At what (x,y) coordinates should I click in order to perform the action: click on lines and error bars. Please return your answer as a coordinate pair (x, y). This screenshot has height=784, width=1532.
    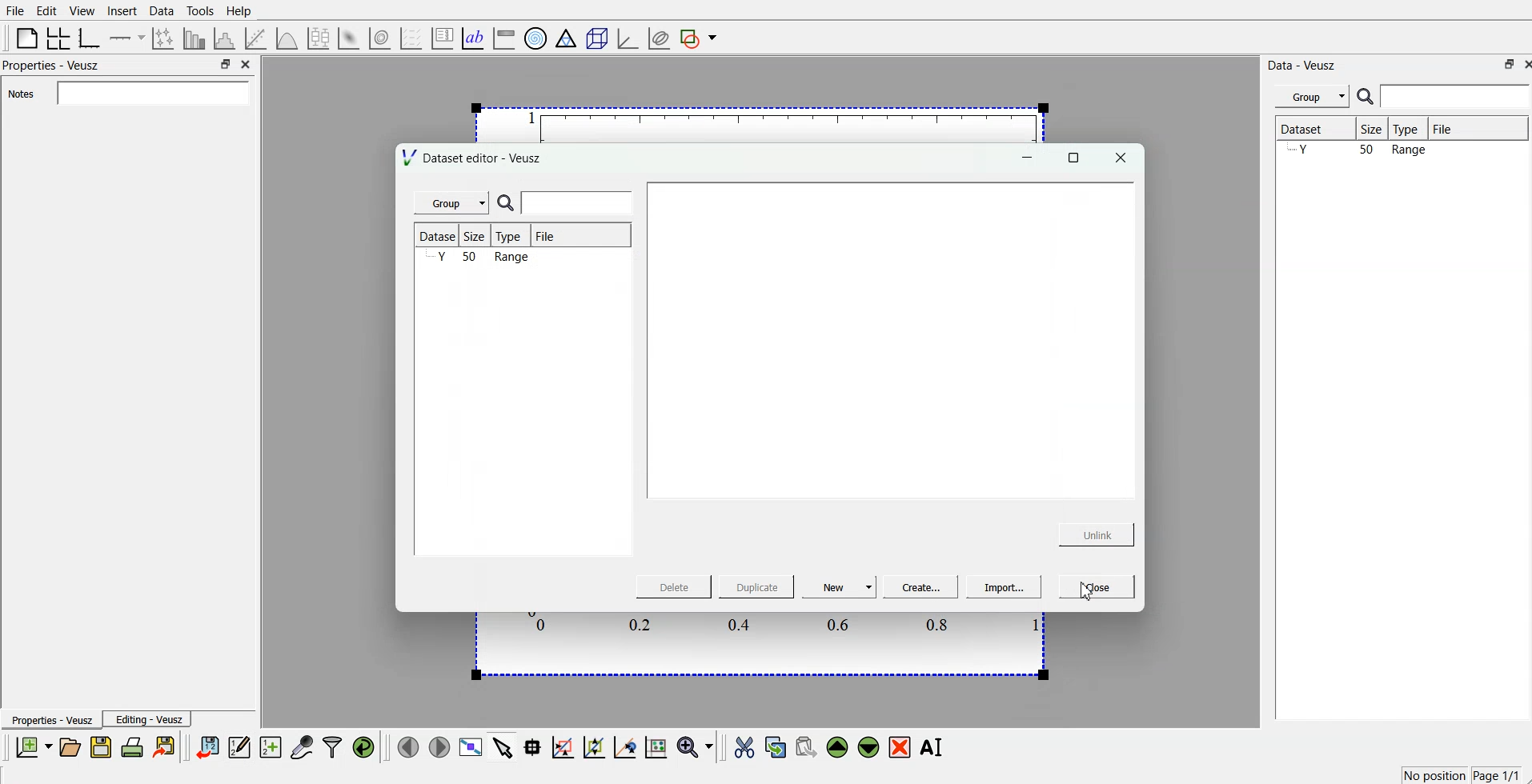
    Looking at the image, I should click on (165, 38).